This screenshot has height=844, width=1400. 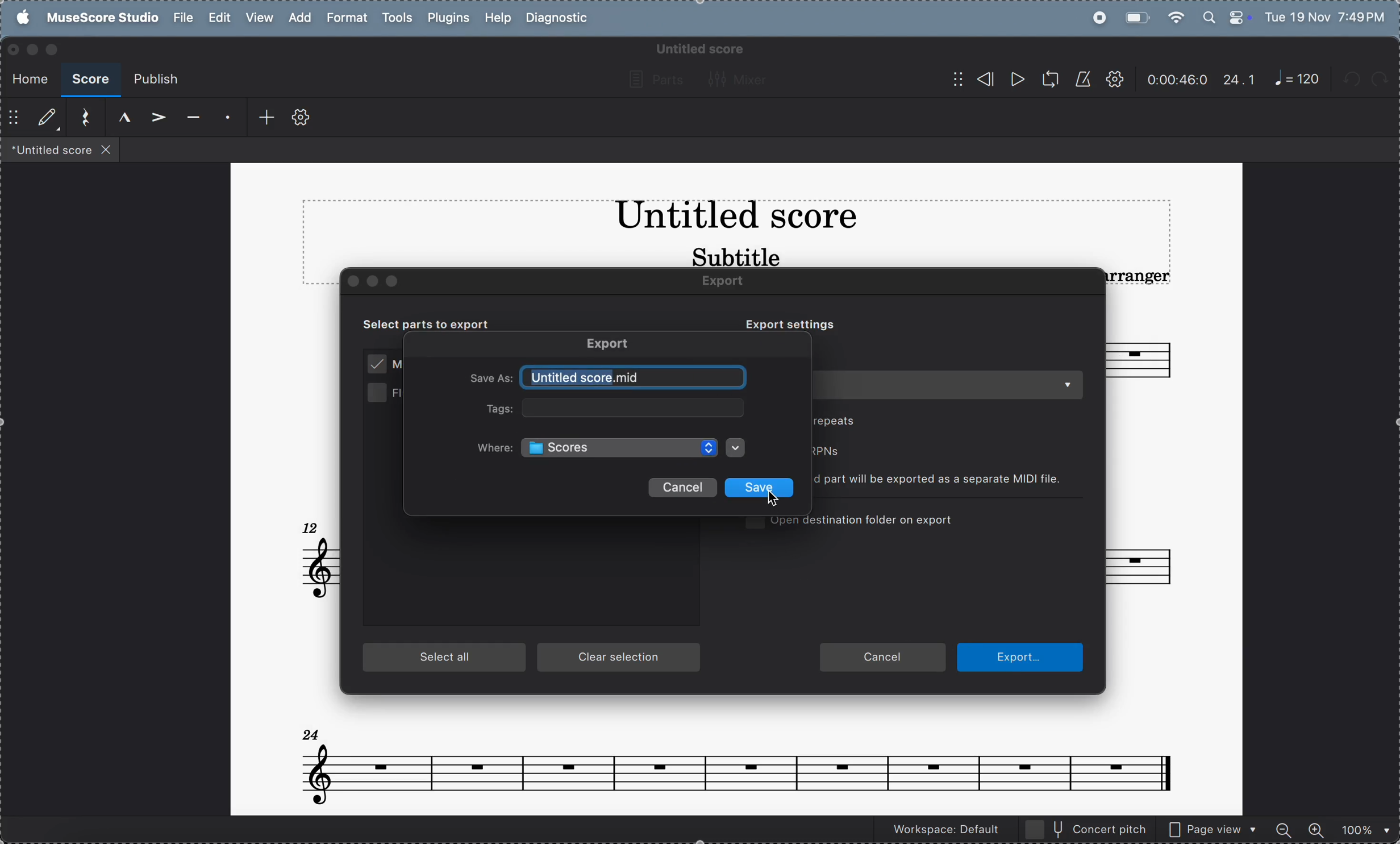 What do you see at coordinates (882, 658) in the screenshot?
I see `cancel` at bounding box center [882, 658].